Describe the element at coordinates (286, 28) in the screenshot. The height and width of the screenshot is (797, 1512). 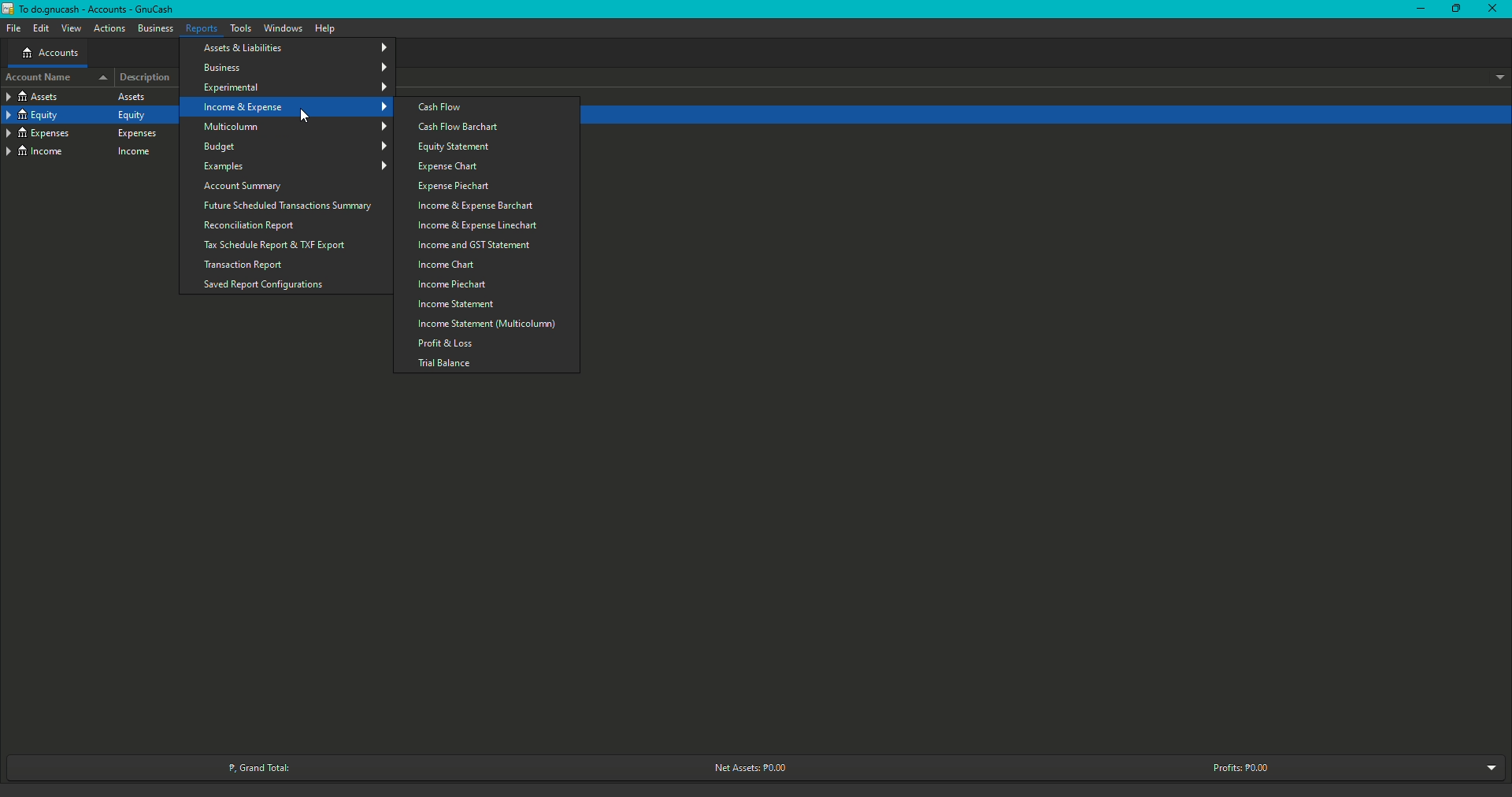
I see `Windows` at that location.